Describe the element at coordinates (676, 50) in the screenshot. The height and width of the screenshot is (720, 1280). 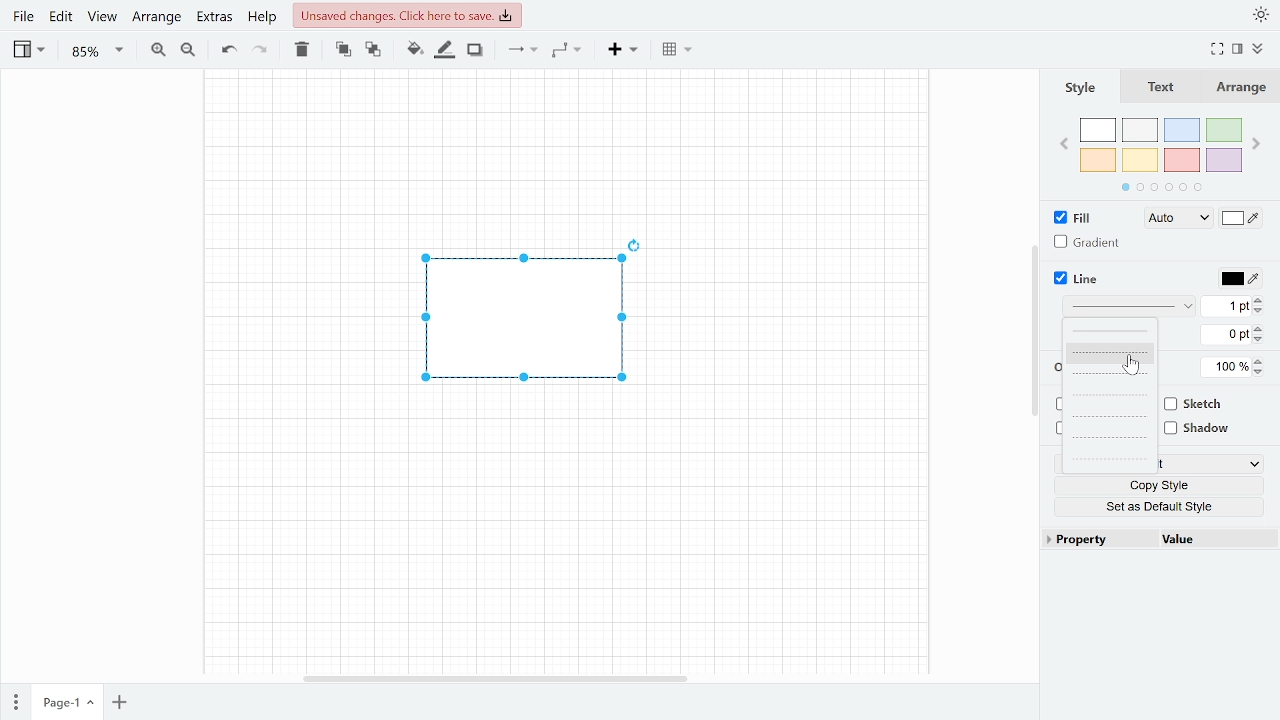
I see `Table` at that location.